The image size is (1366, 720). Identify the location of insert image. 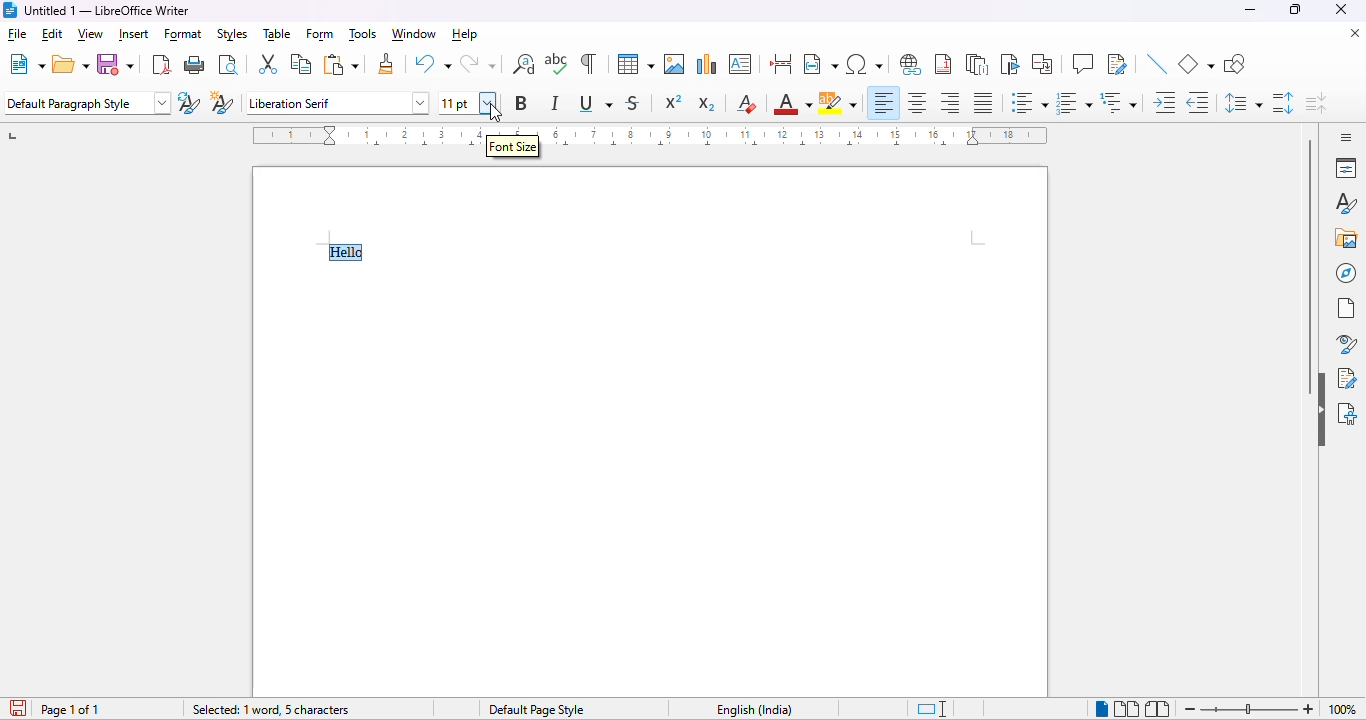
(674, 64).